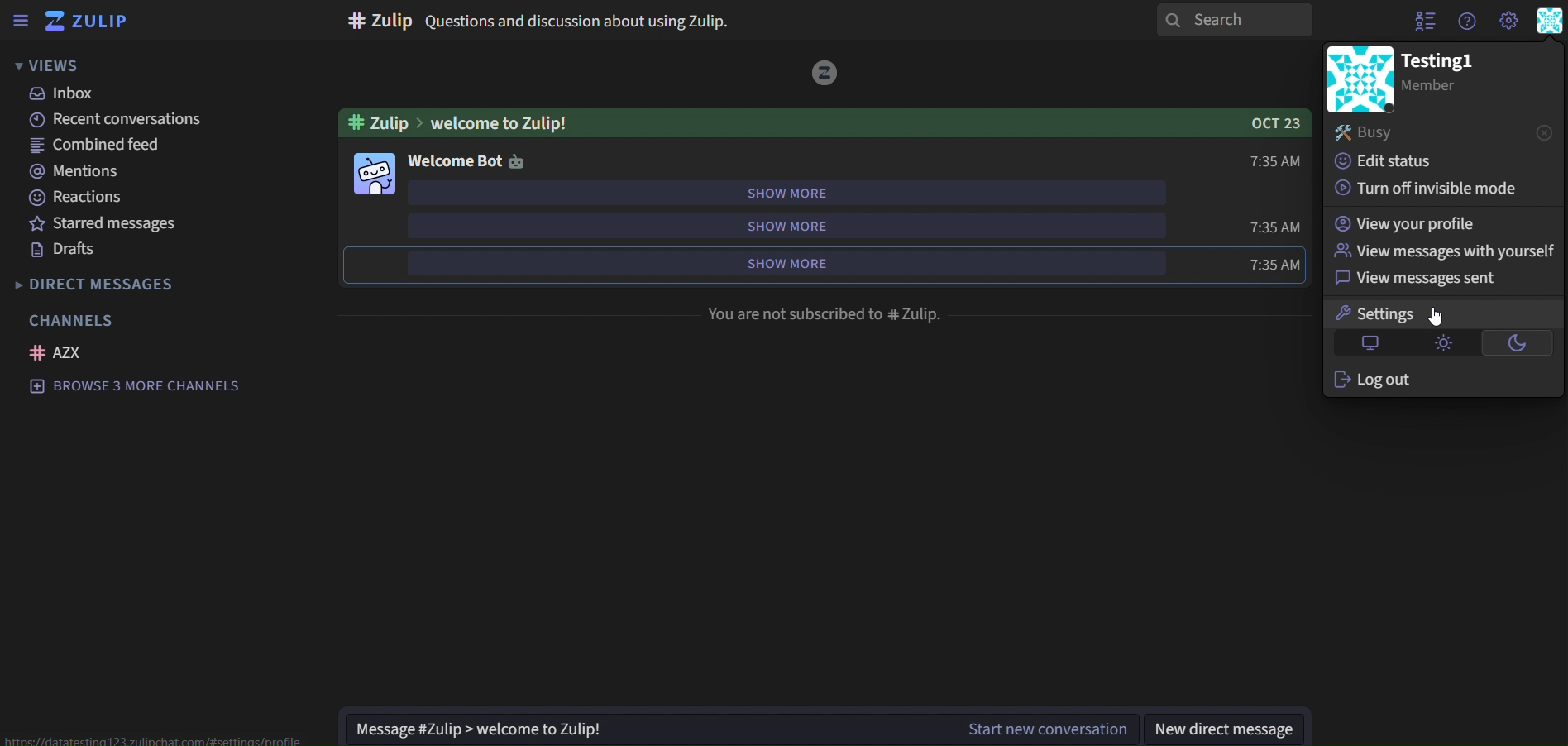 The image size is (1568, 746). What do you see at coordinates (791, 191) in the screenshot?
I see `show more` at bounding box center [791, 191].